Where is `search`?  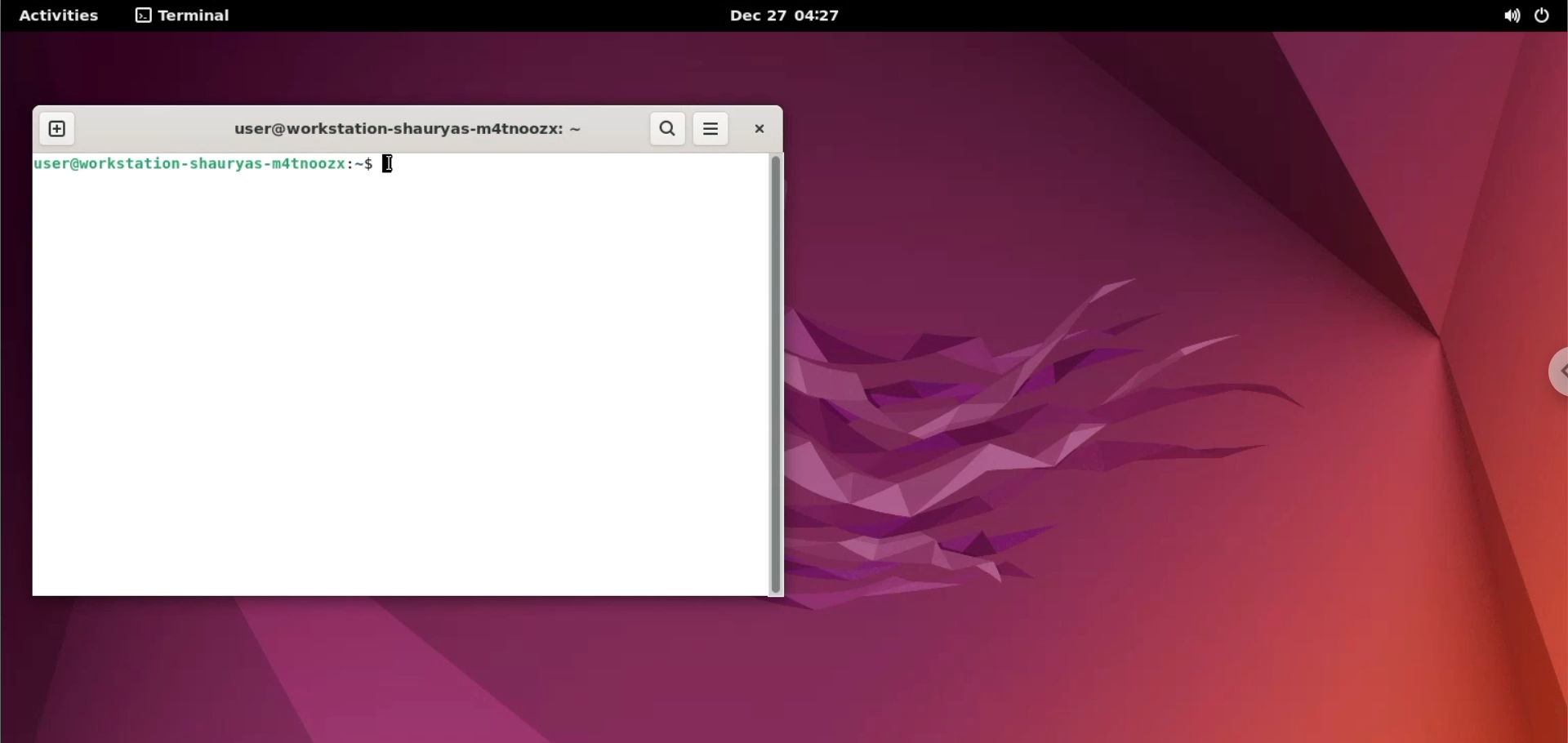
search is located at coordinates (666, 128).